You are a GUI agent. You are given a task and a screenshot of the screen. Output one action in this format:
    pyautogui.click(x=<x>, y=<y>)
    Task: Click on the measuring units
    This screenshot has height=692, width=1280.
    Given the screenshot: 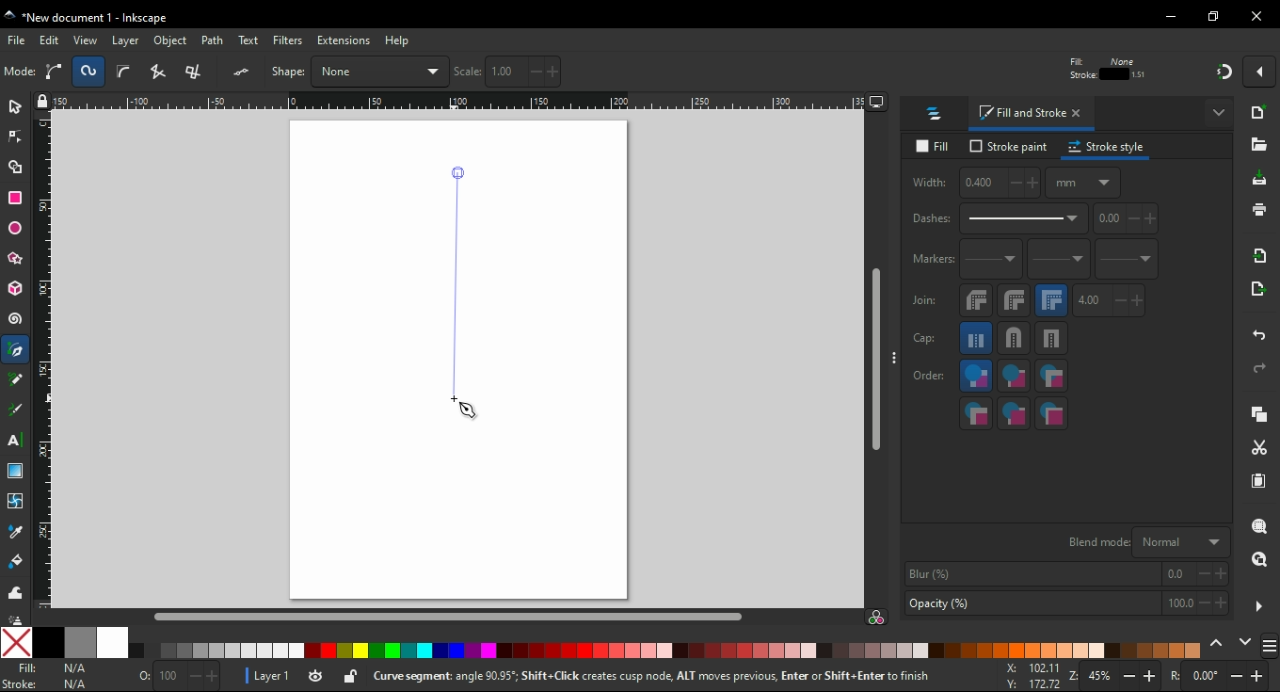 What is the action you would take?
    pyautogui.click(x=1083, y=182)
    